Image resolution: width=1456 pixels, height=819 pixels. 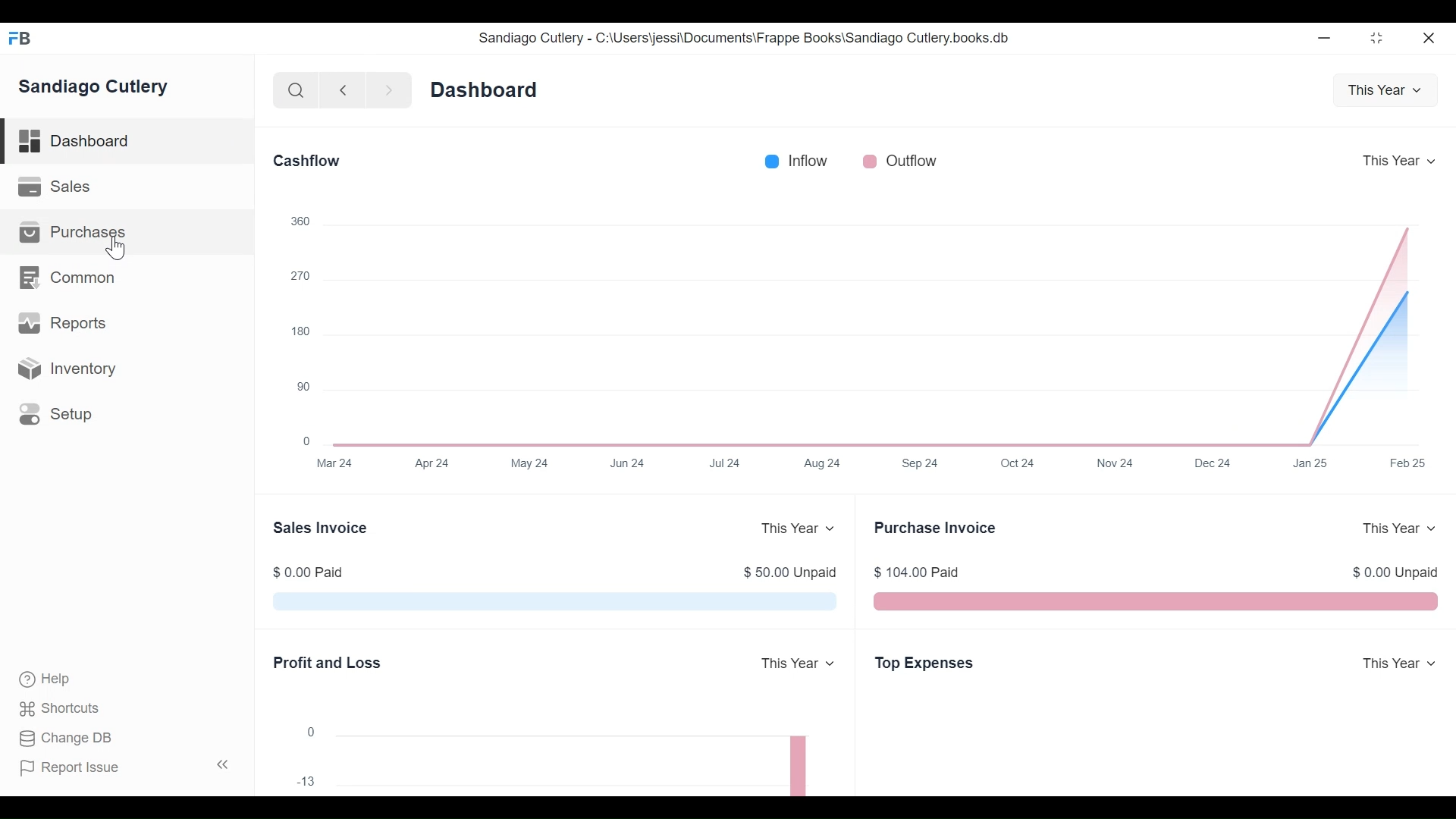 What do you see at coordinates (922, 464) in the screenshot?
I see `Sep 24` at bounding box center [922, 464].